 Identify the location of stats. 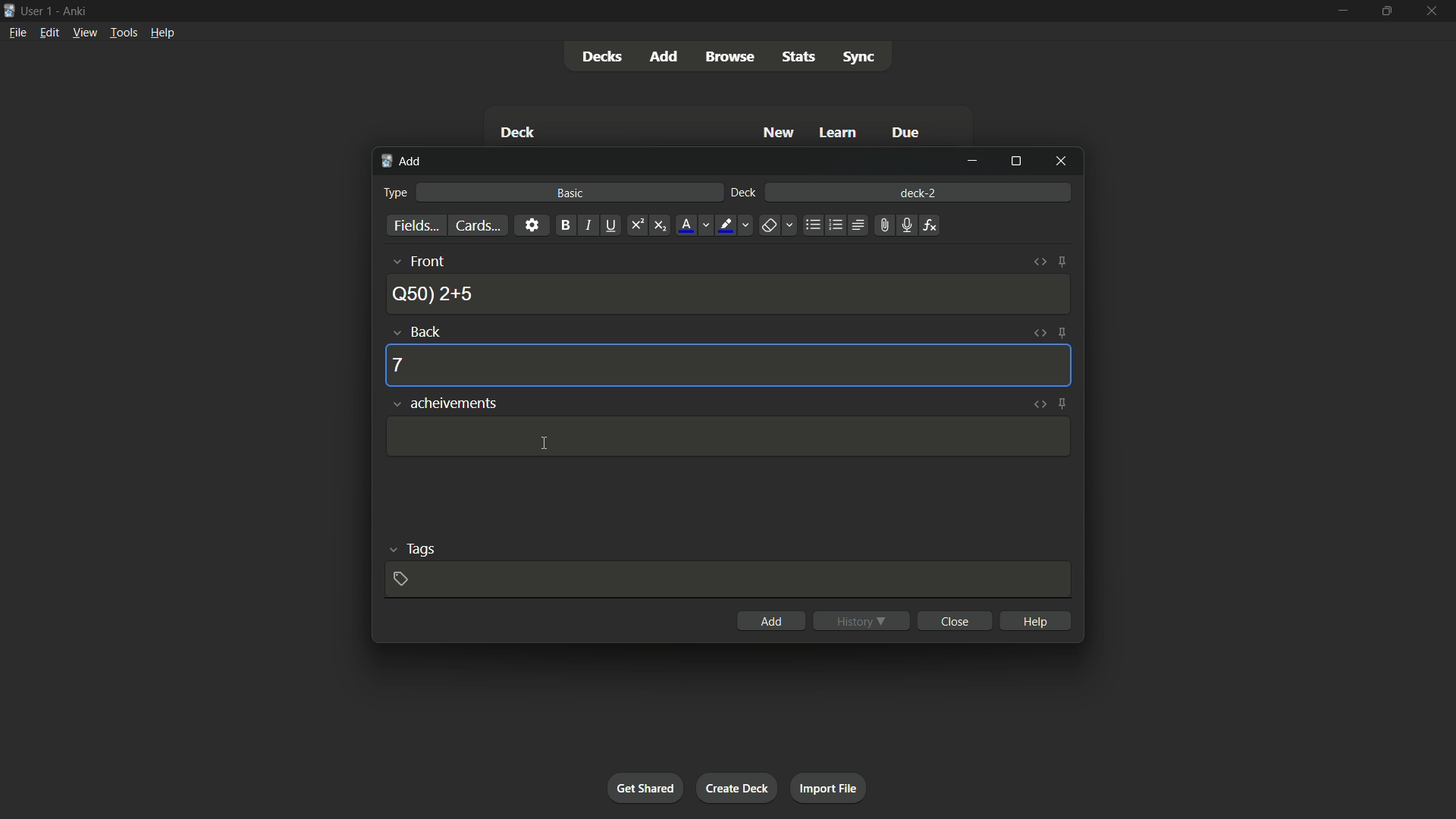
(802, 58).